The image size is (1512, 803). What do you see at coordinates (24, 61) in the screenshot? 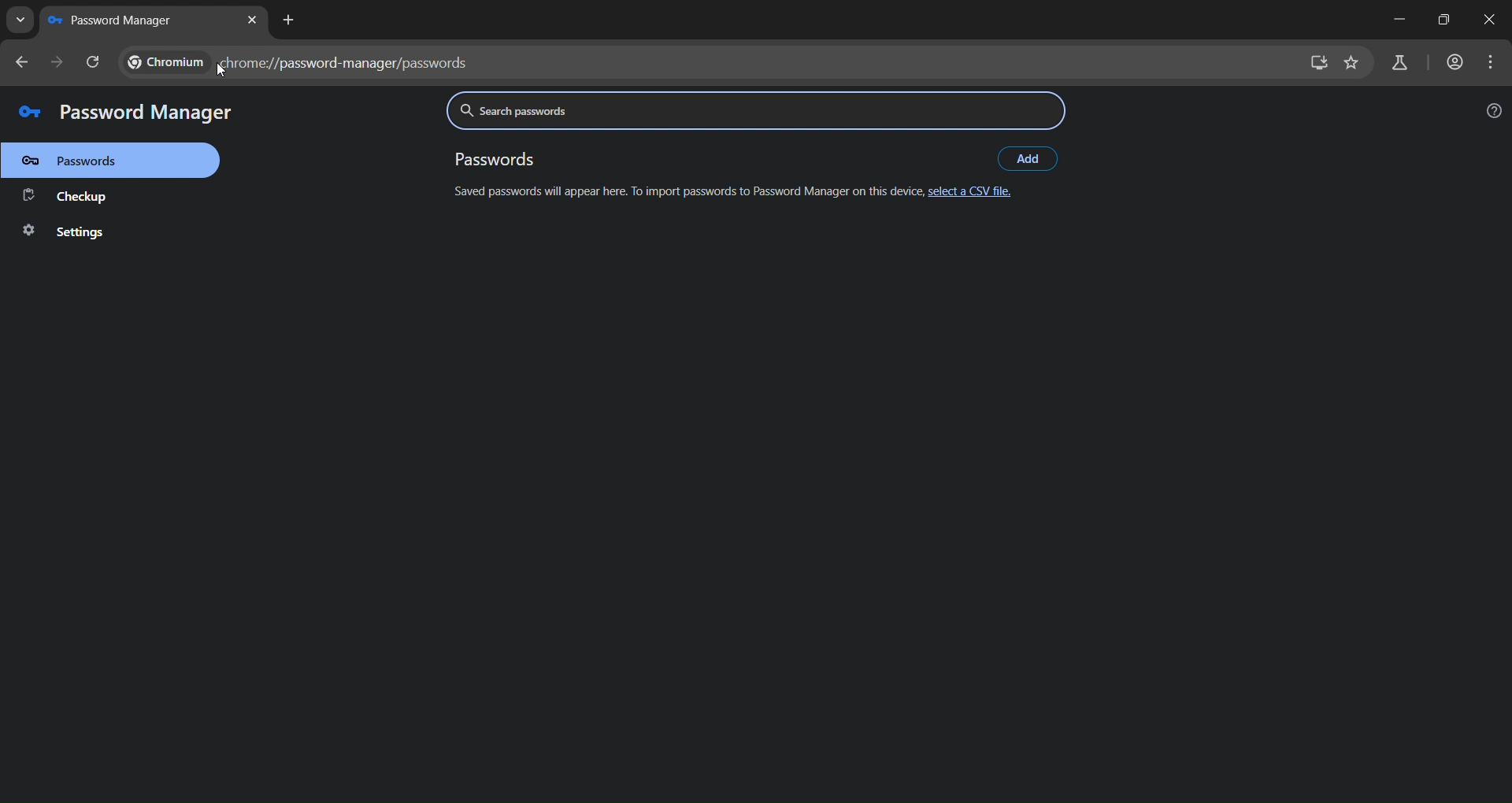
I see `go back one page` at bounding box center [24, 61].